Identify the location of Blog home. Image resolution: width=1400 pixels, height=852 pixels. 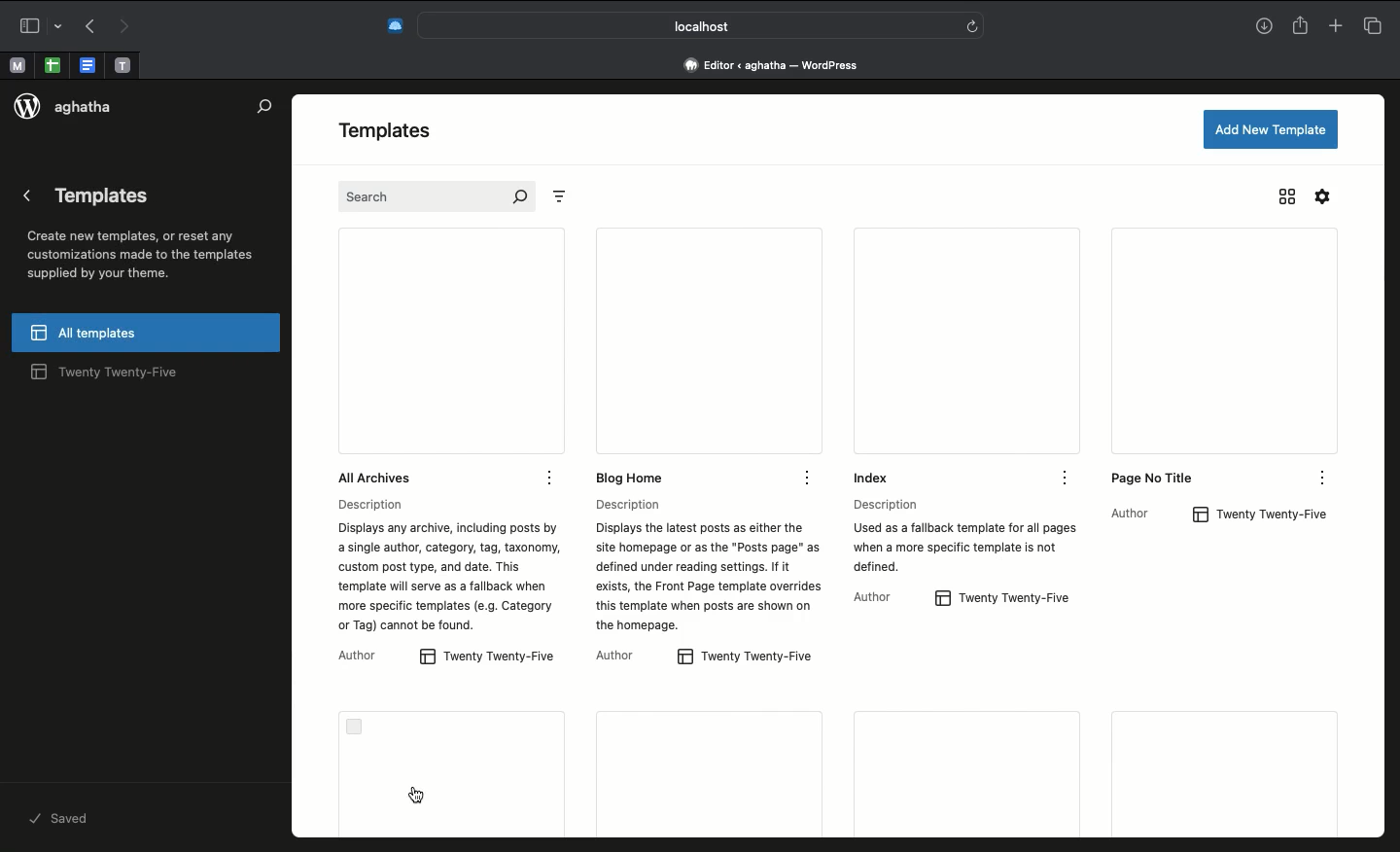
(708, 357).